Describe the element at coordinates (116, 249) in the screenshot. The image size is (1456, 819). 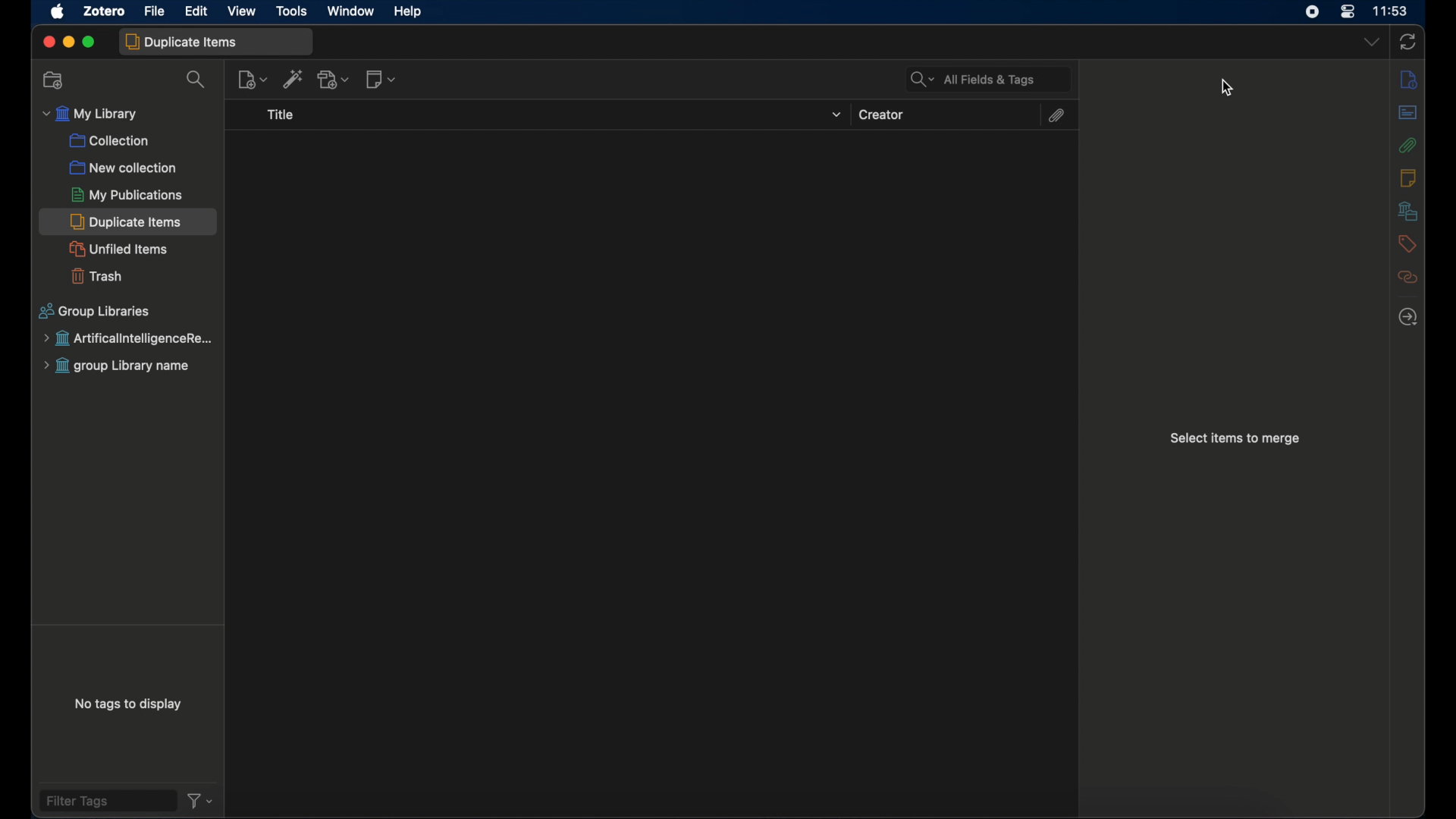
I see `unfiled items` at that location.